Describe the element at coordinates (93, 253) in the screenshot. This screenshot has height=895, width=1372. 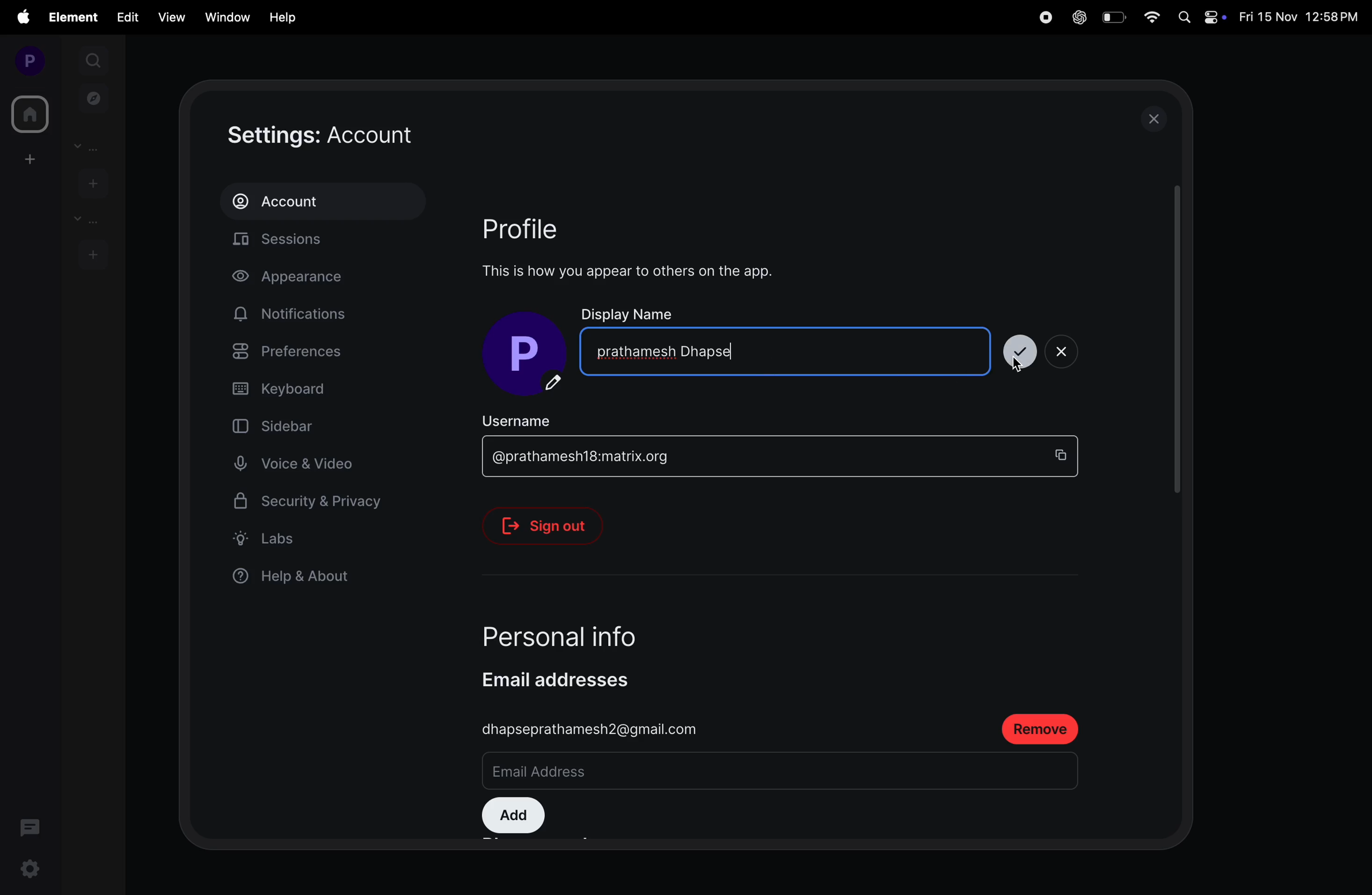
I see `add rooms` at that location.